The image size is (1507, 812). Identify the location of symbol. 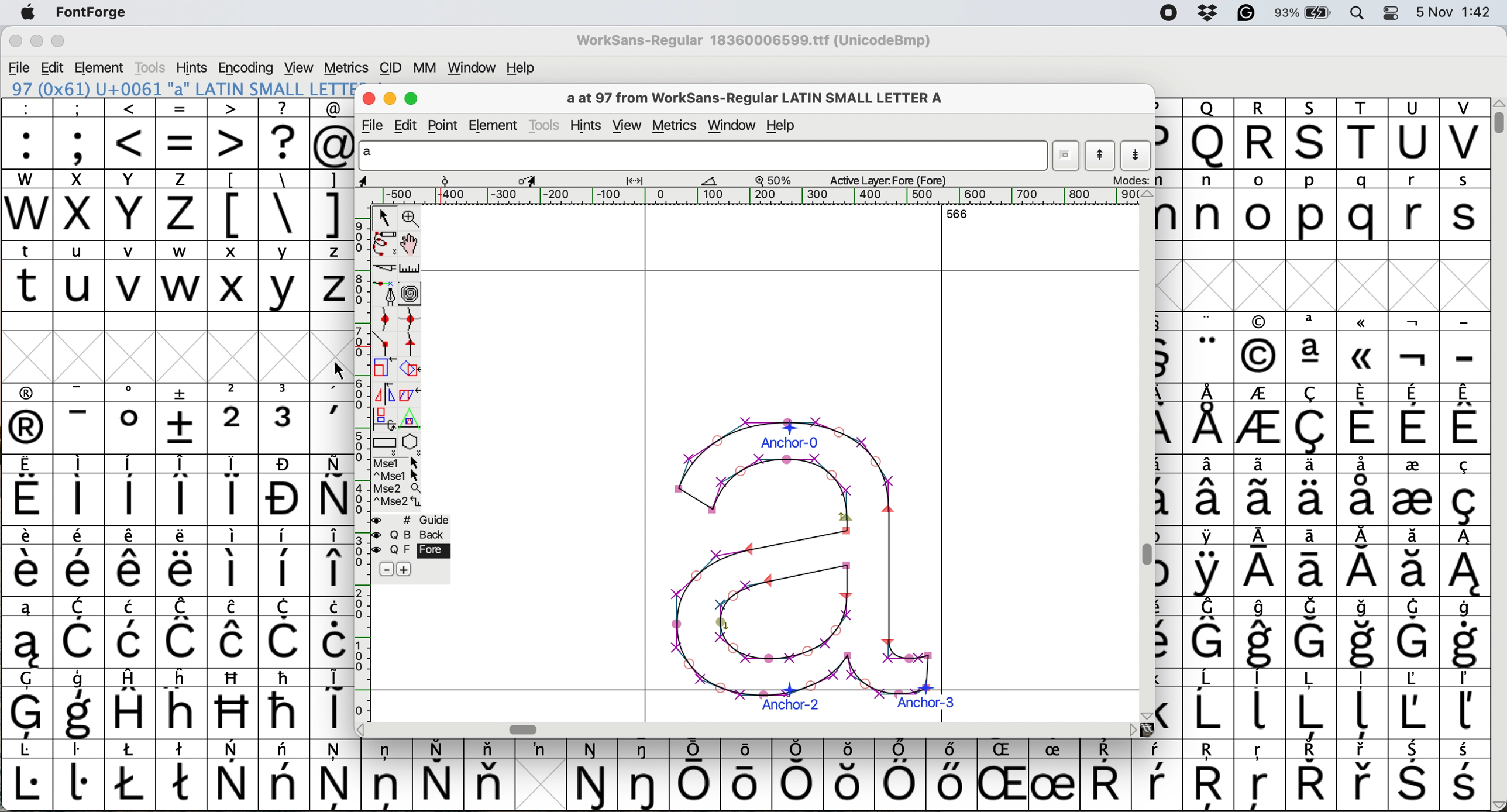
(27, 562).